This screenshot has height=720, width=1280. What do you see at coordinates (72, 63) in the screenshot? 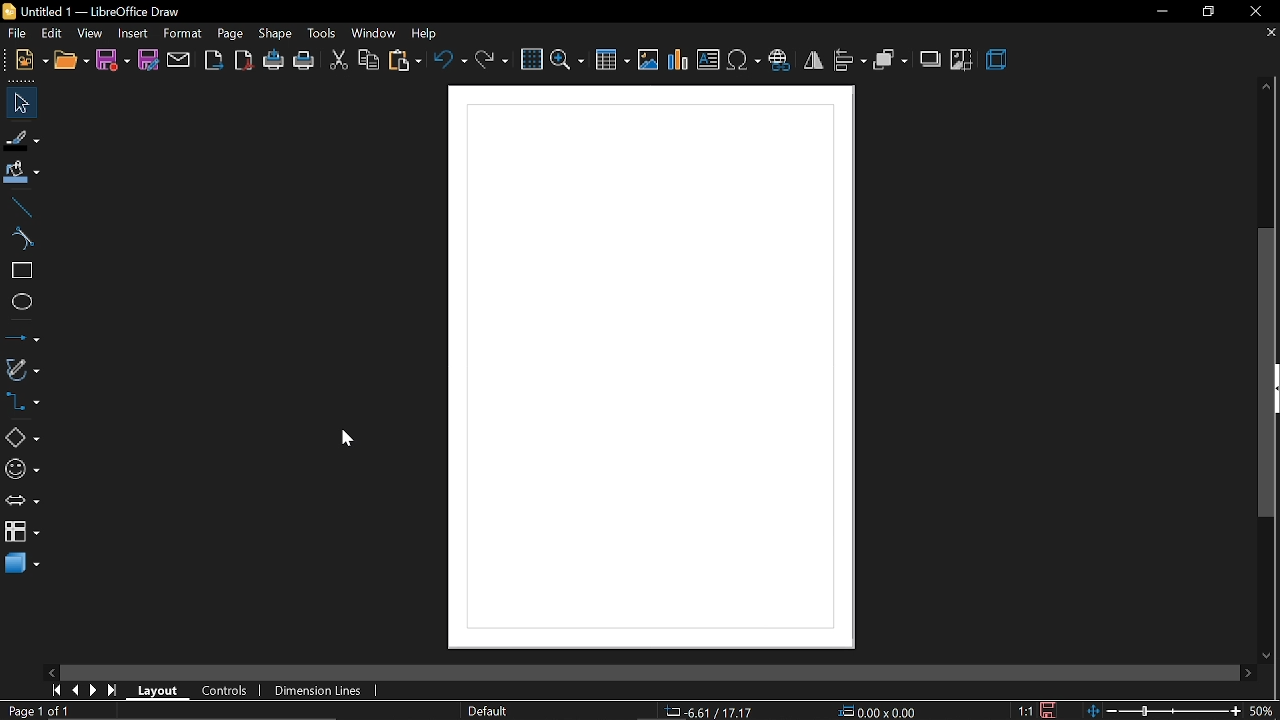
I see `open` at bounding box center [72, 63].